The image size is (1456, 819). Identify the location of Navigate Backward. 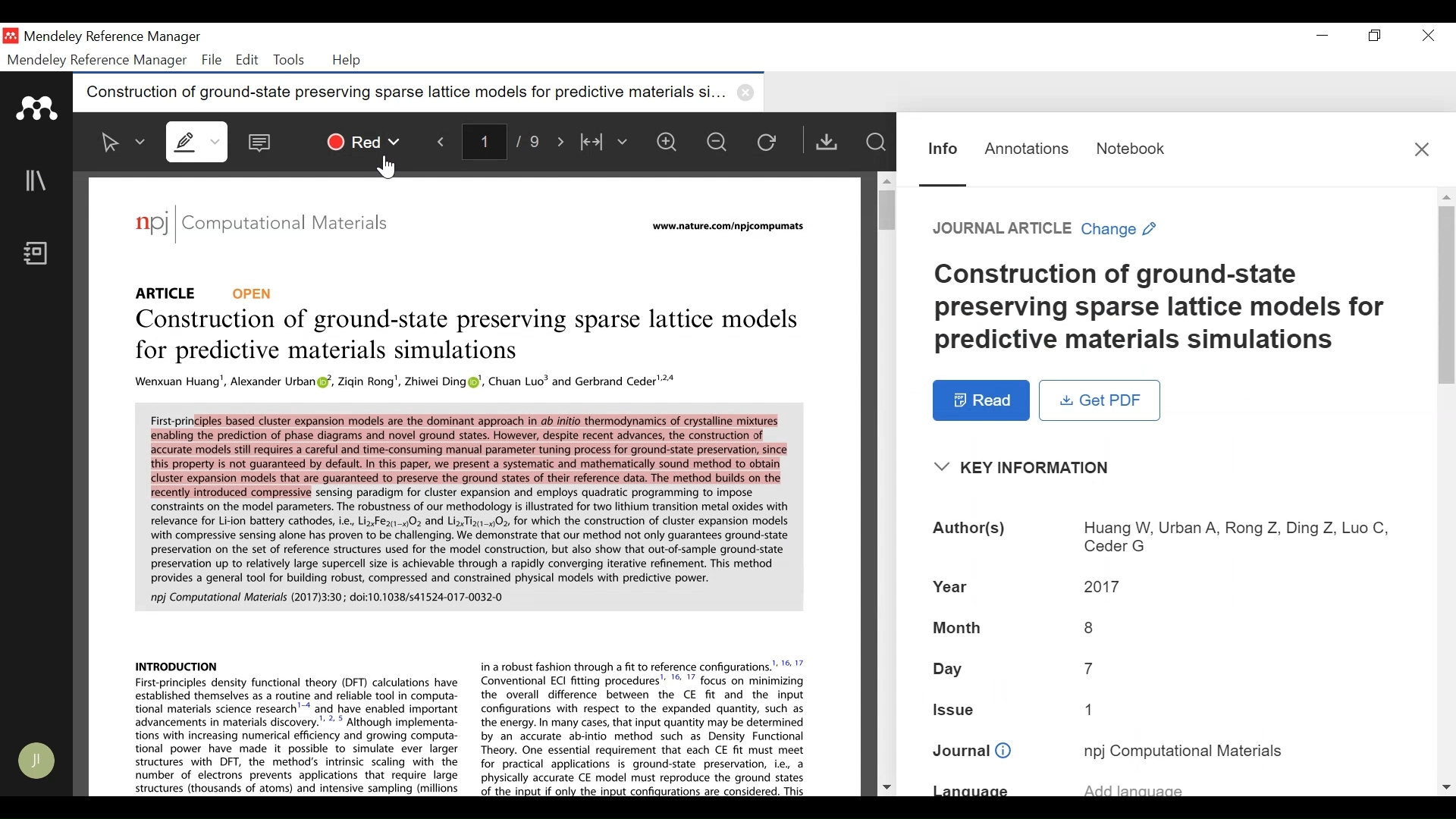
(442, 143).